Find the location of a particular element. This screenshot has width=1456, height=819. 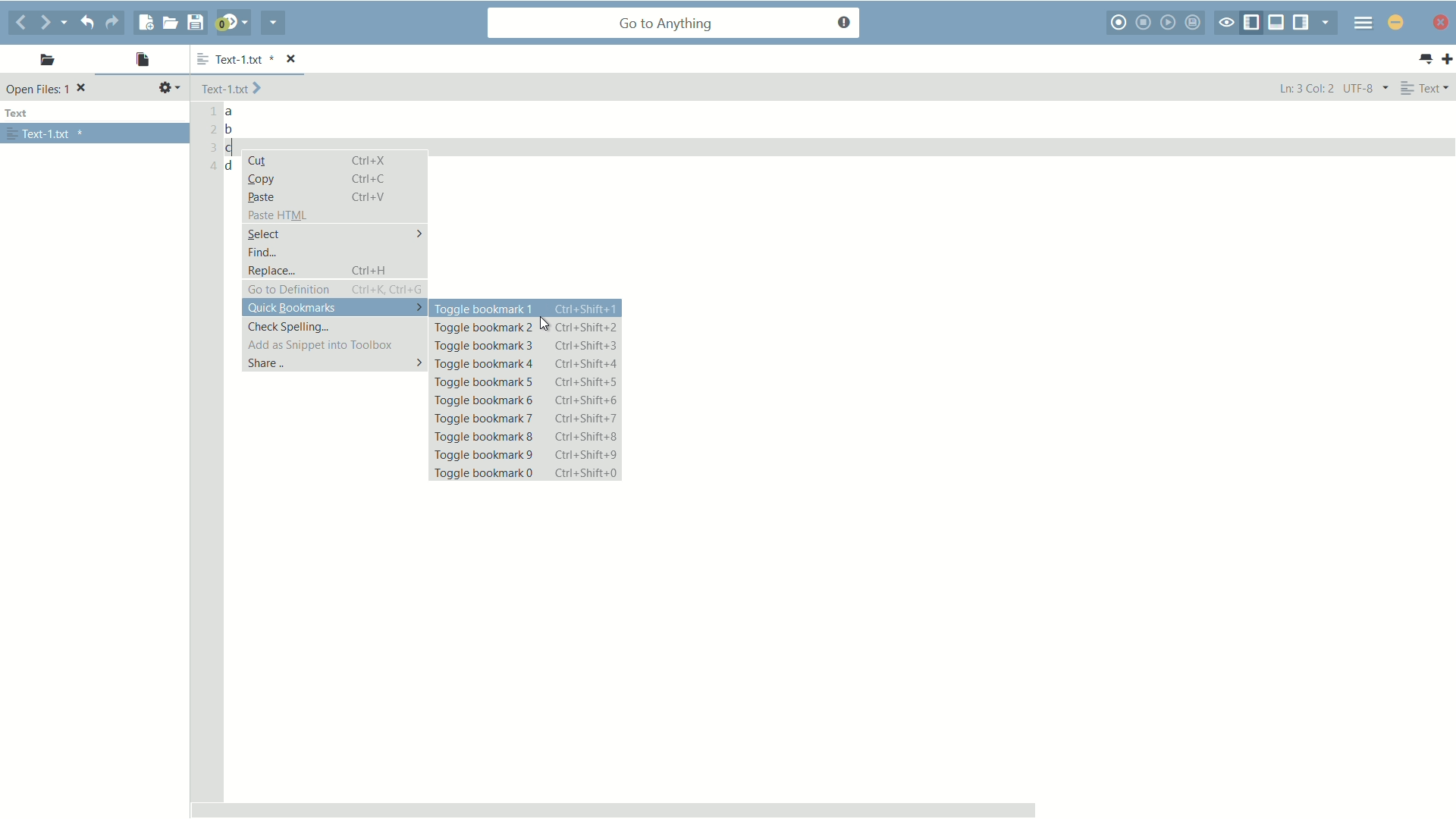

text is located at coordinates (20, 114).